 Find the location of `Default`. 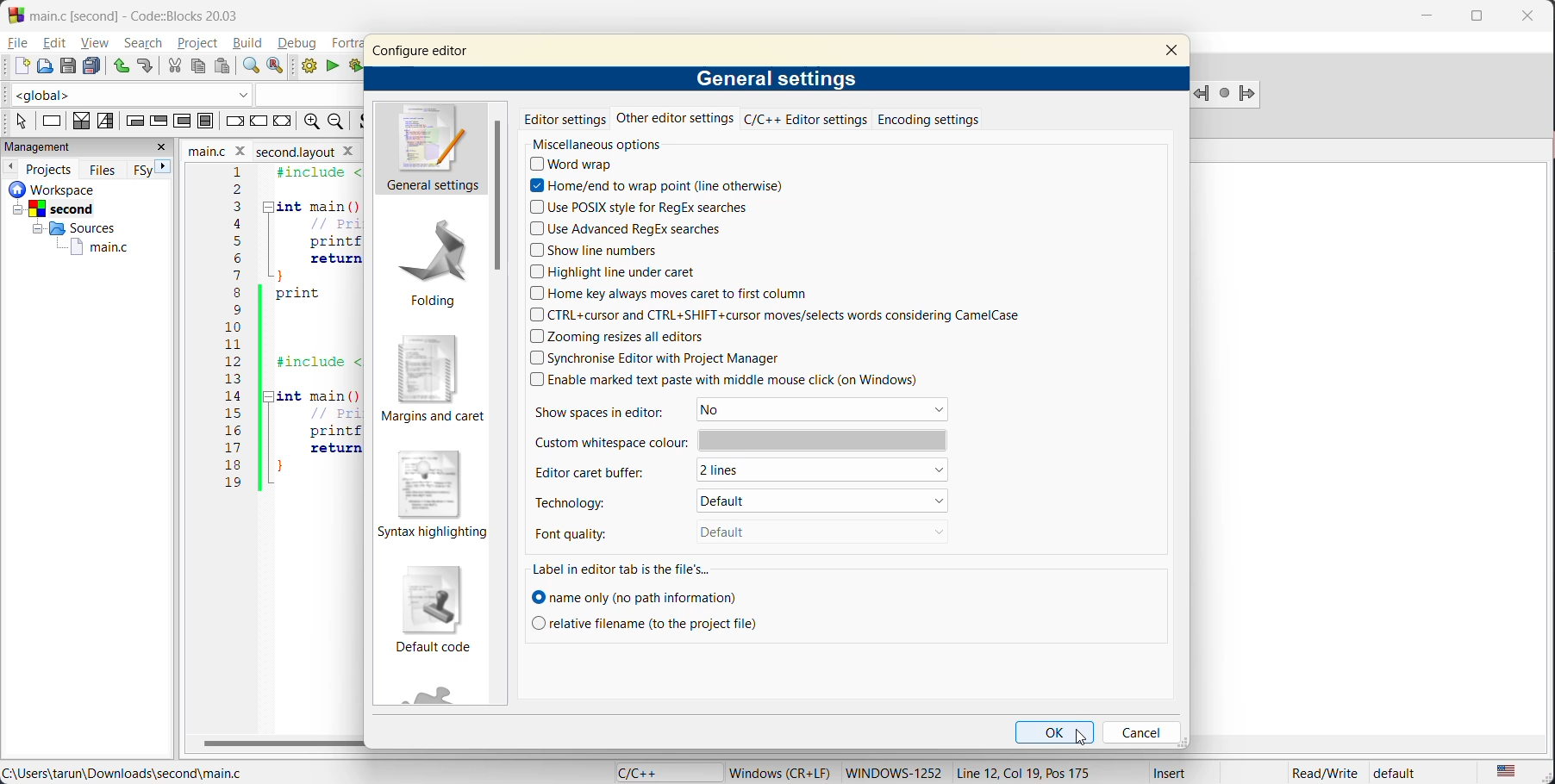

Default is located at coordinates (820, 500).